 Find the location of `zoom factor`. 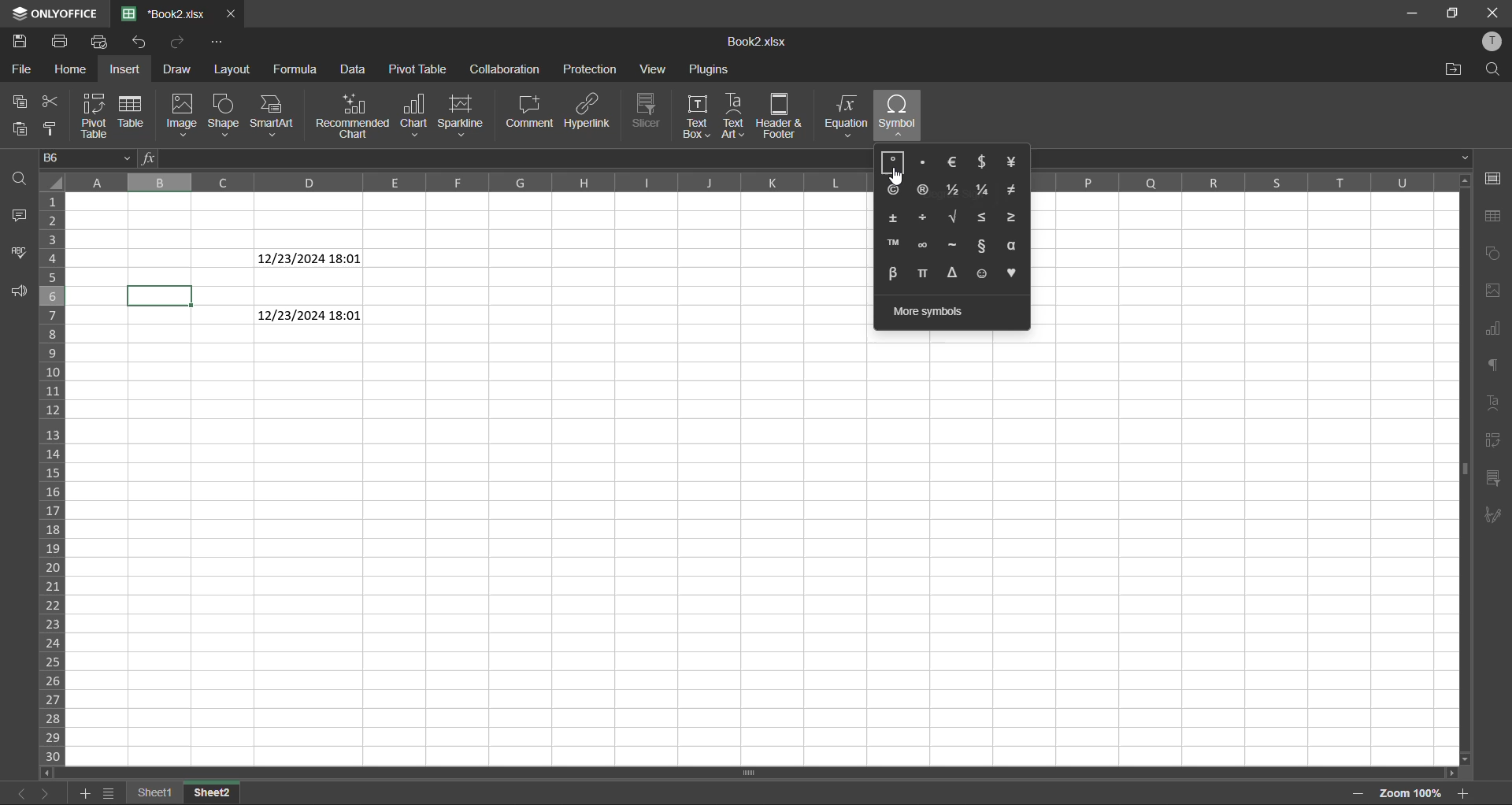

zoom factor is located at coordinates (1412, 792).